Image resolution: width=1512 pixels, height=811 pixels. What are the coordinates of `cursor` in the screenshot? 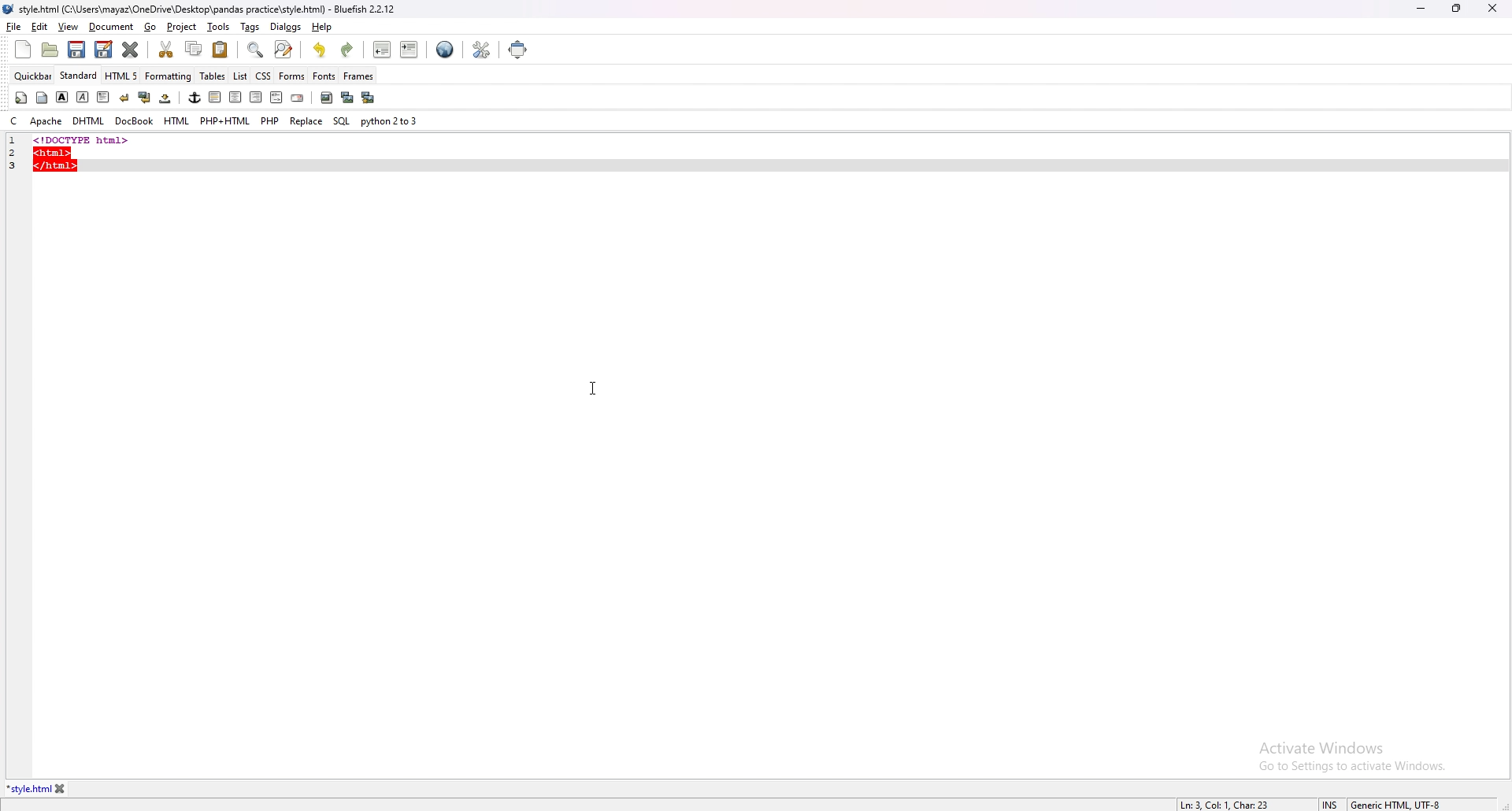 It's located at (595, 387).